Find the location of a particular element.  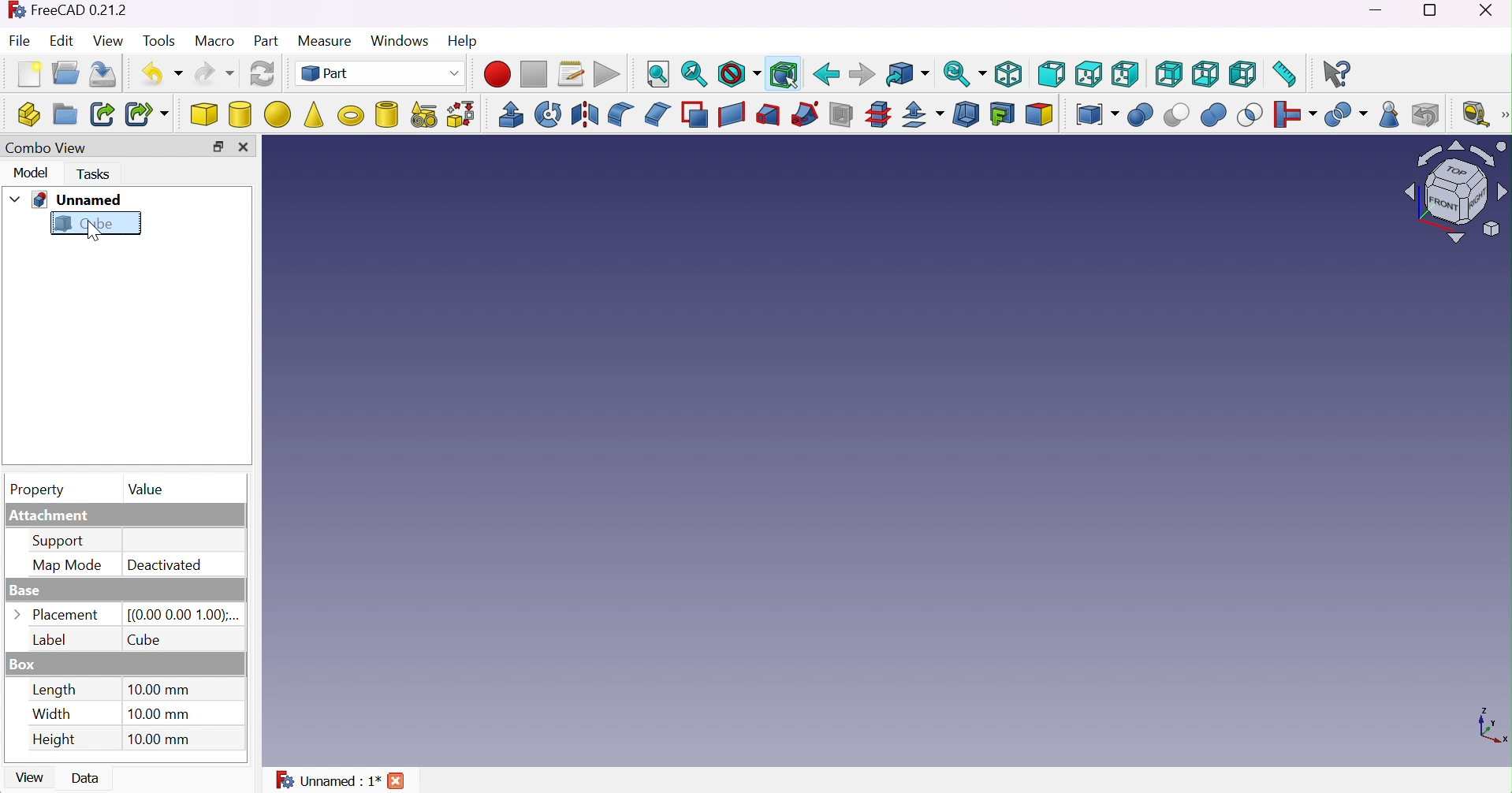

Sweep is located at coordinates (802, 114).